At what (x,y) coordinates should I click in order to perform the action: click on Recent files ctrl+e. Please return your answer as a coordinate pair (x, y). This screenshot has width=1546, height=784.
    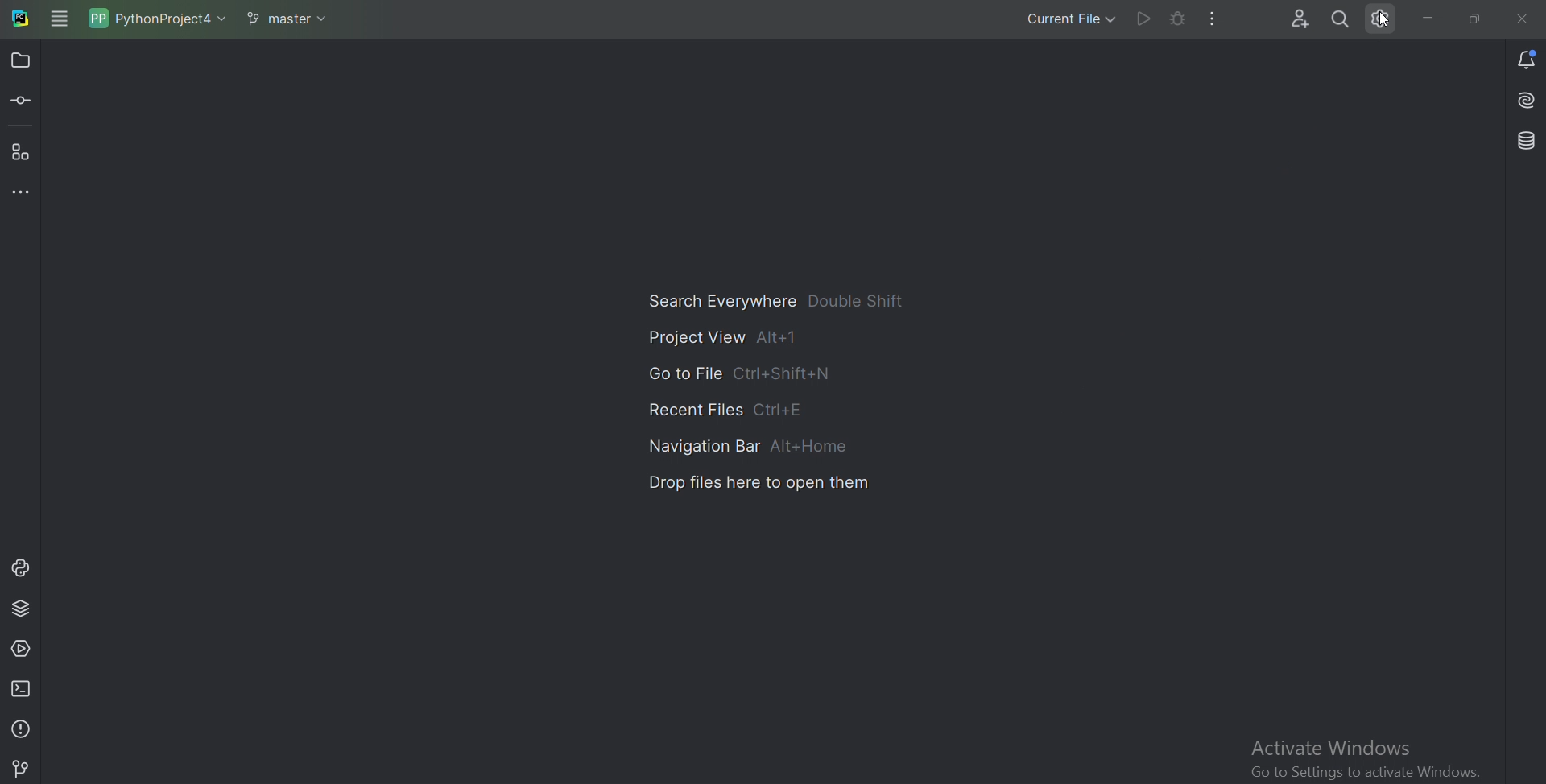
    Looking at the image, I should click on (733, 405).